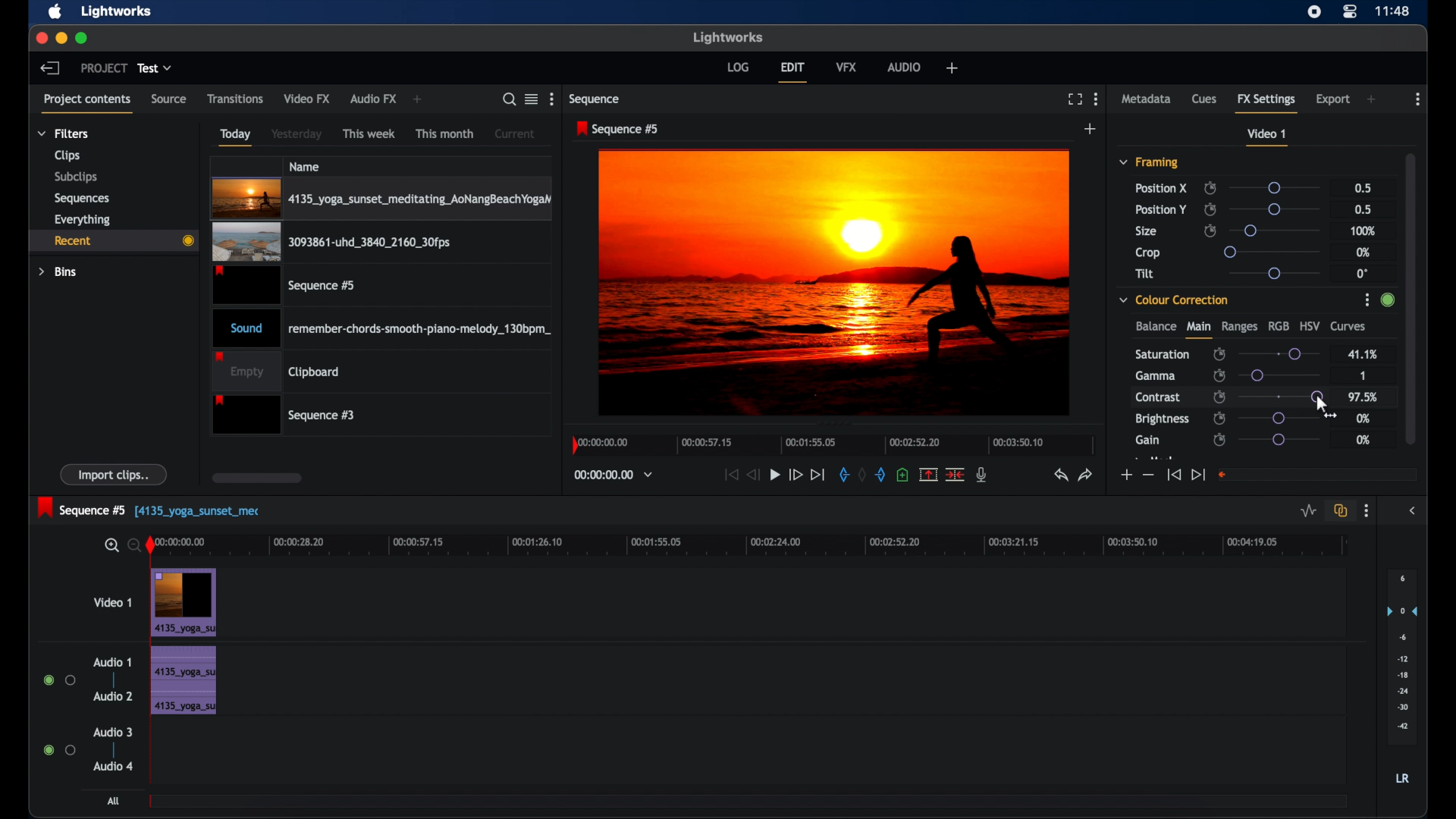 The image size is (1456, 819). I want to click on zoom, so click(120, 544).